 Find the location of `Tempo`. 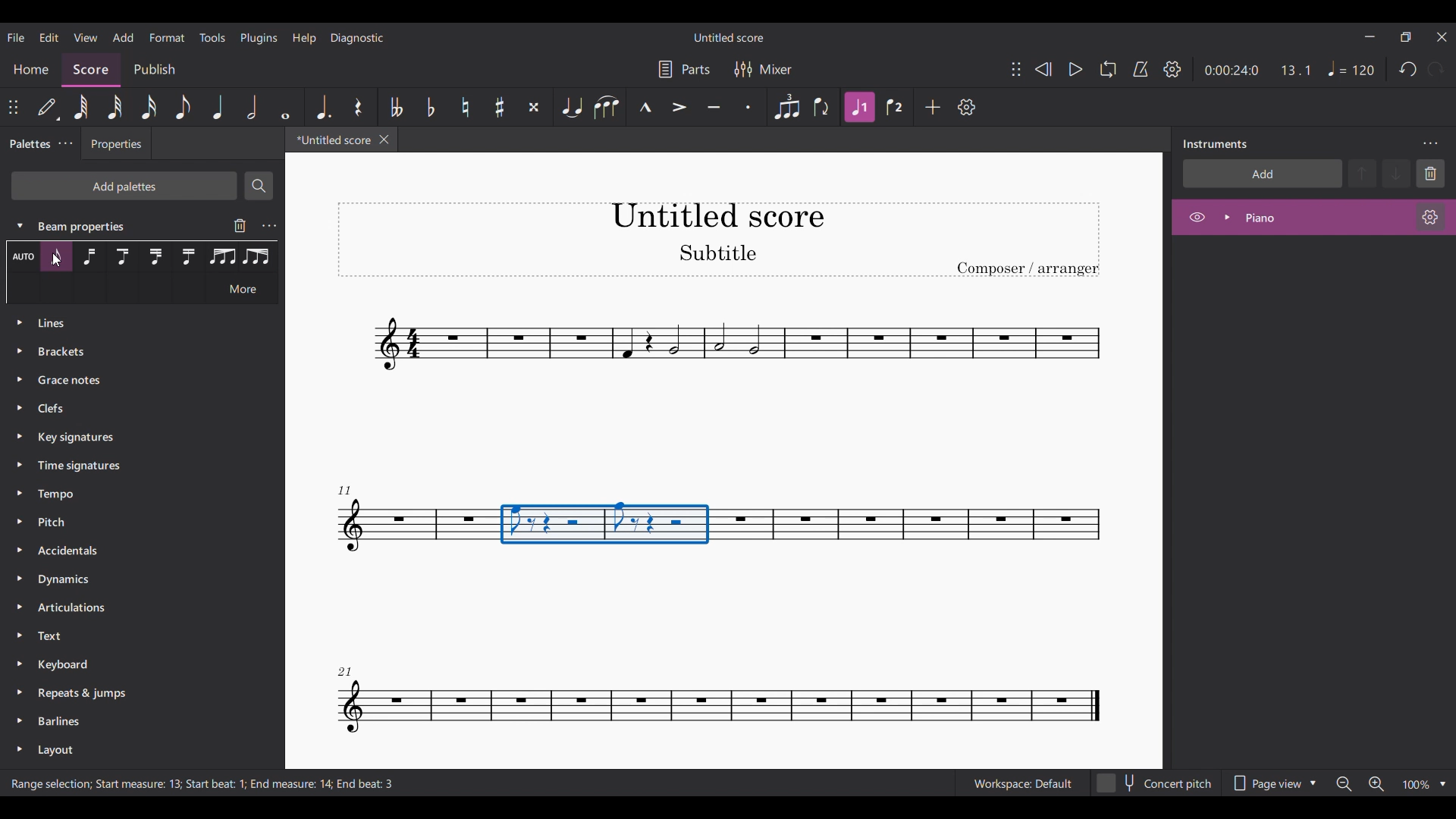

Tempo is located at coordinates (1351, 68).